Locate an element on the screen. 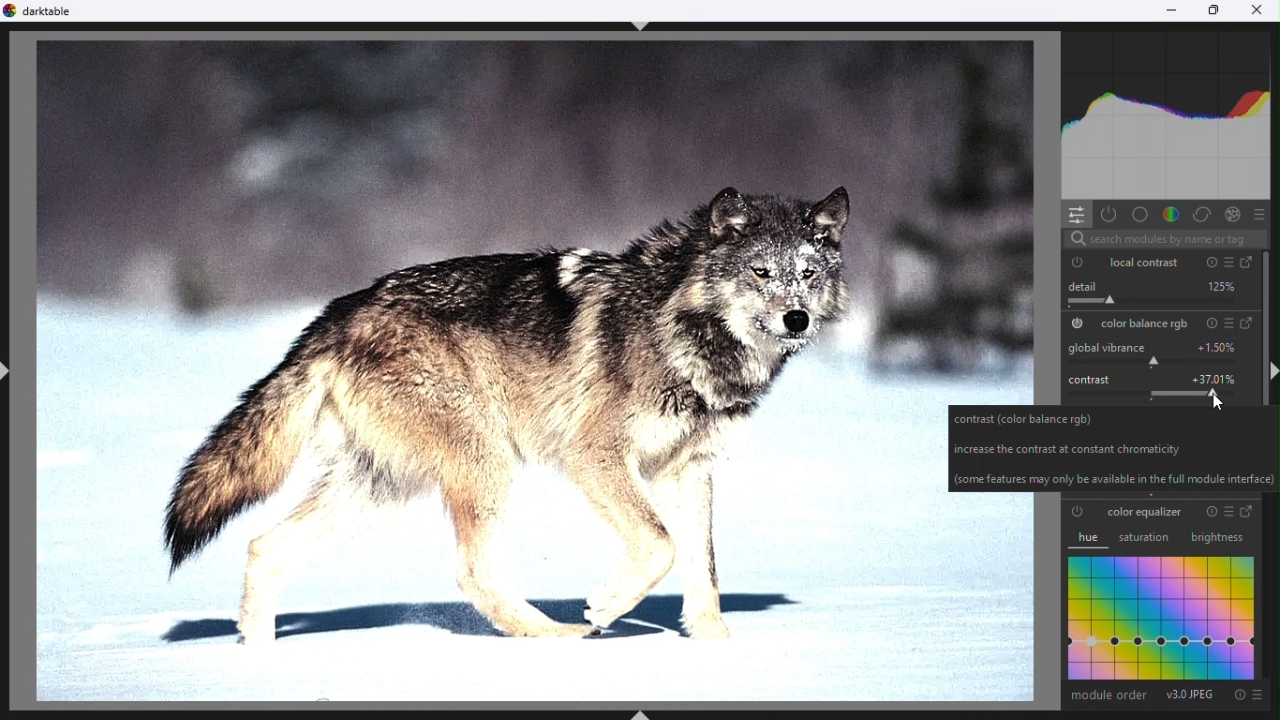  quick access is located at coordinates (1072, 214).